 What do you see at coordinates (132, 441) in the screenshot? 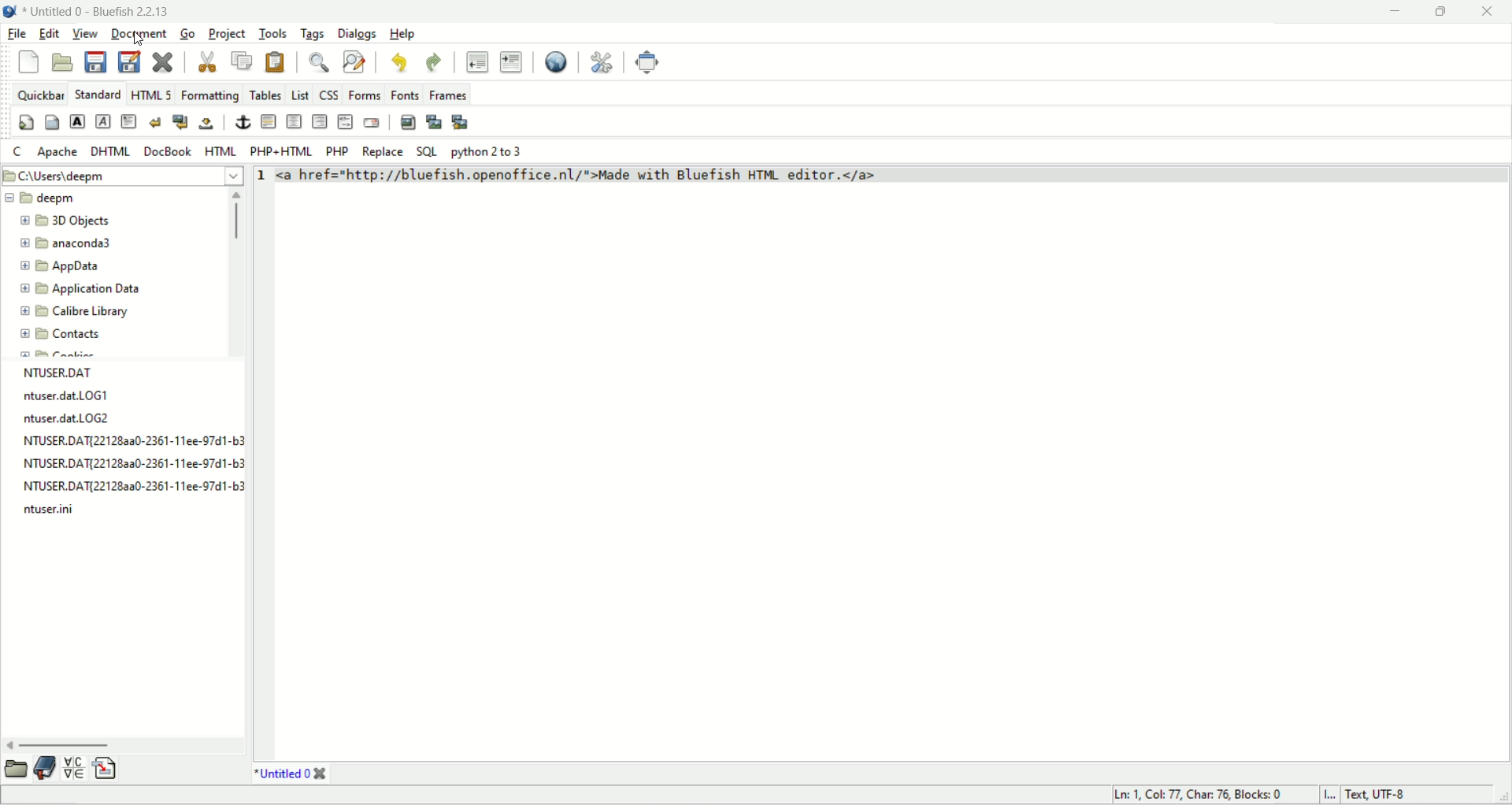
I see `text` at bounding box center [132, 441].